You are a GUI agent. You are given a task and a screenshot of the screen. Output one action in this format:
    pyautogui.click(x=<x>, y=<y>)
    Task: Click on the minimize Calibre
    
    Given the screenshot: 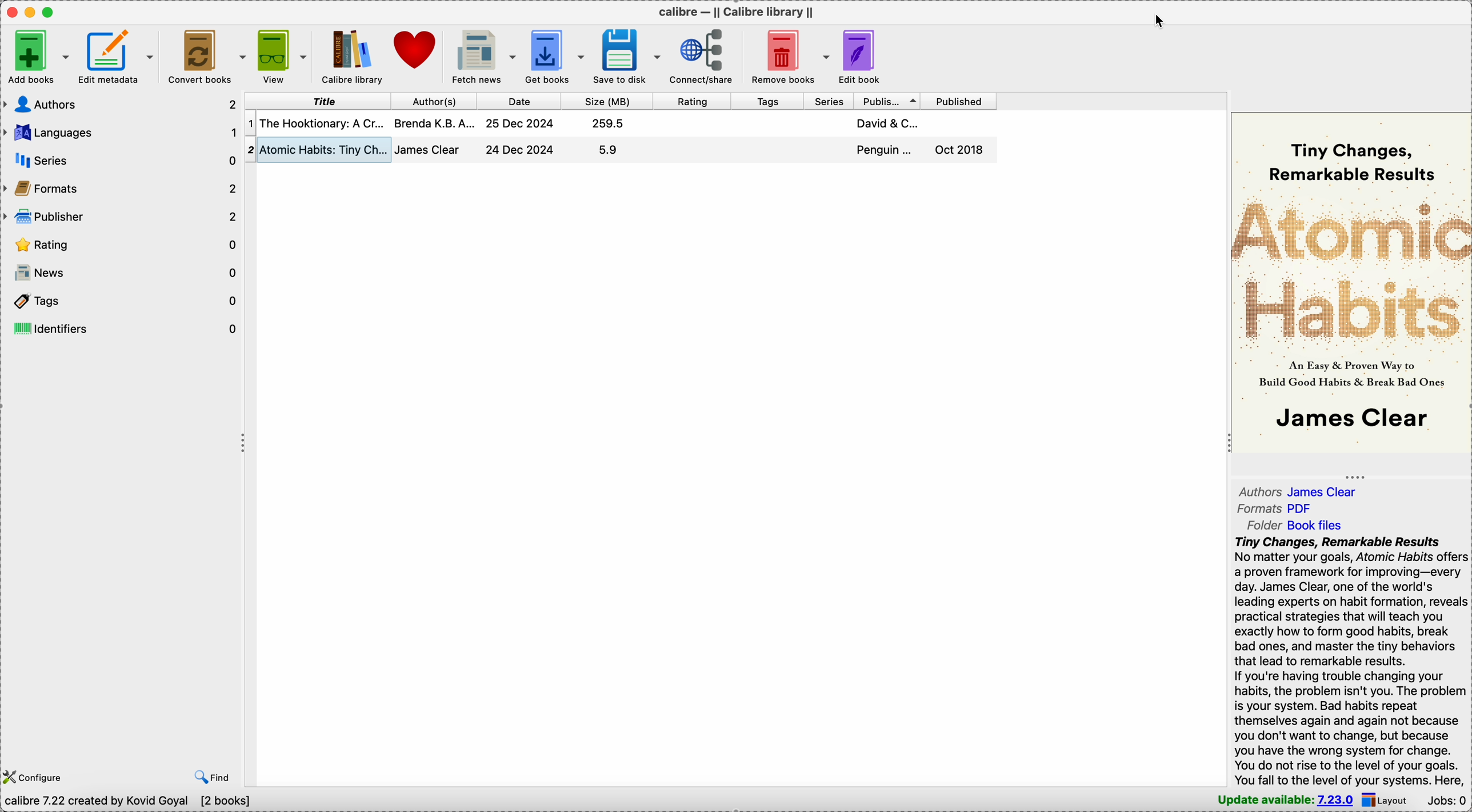 What is the action you would take?
    pyautogui.click(x=30, y=13)
    